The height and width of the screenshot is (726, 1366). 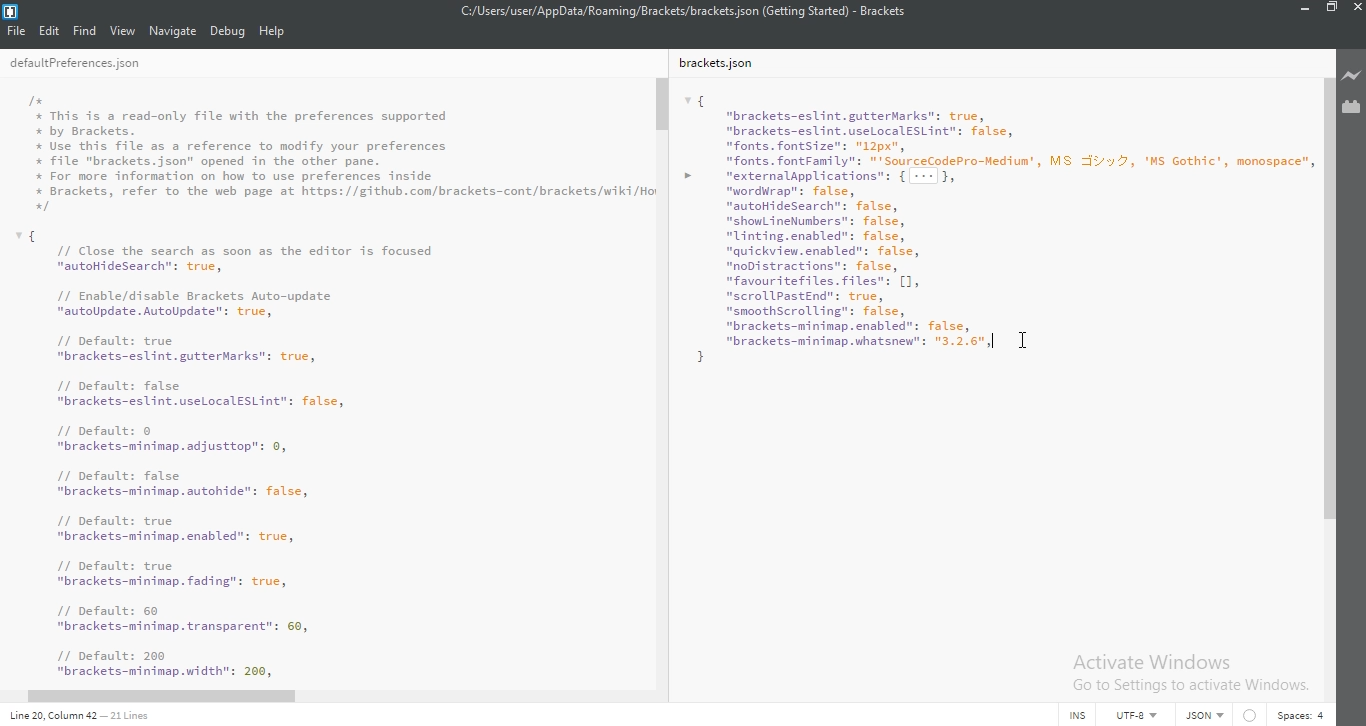 What do you see at coordinates (85, 30) in the screenshot?
I see `Find` at bounding box center [85, 30].